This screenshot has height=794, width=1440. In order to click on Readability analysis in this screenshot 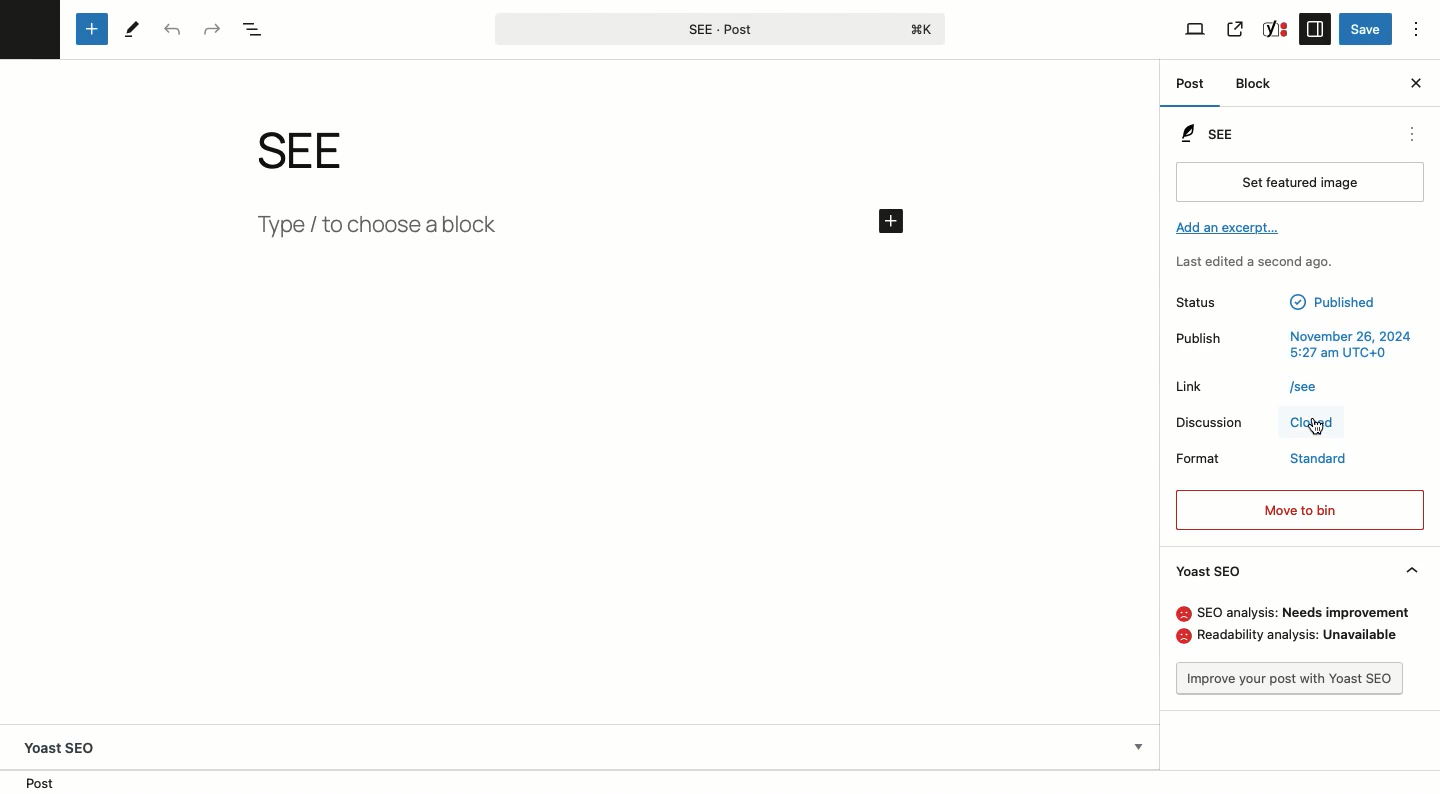, I will do `click(1294, 637)`.